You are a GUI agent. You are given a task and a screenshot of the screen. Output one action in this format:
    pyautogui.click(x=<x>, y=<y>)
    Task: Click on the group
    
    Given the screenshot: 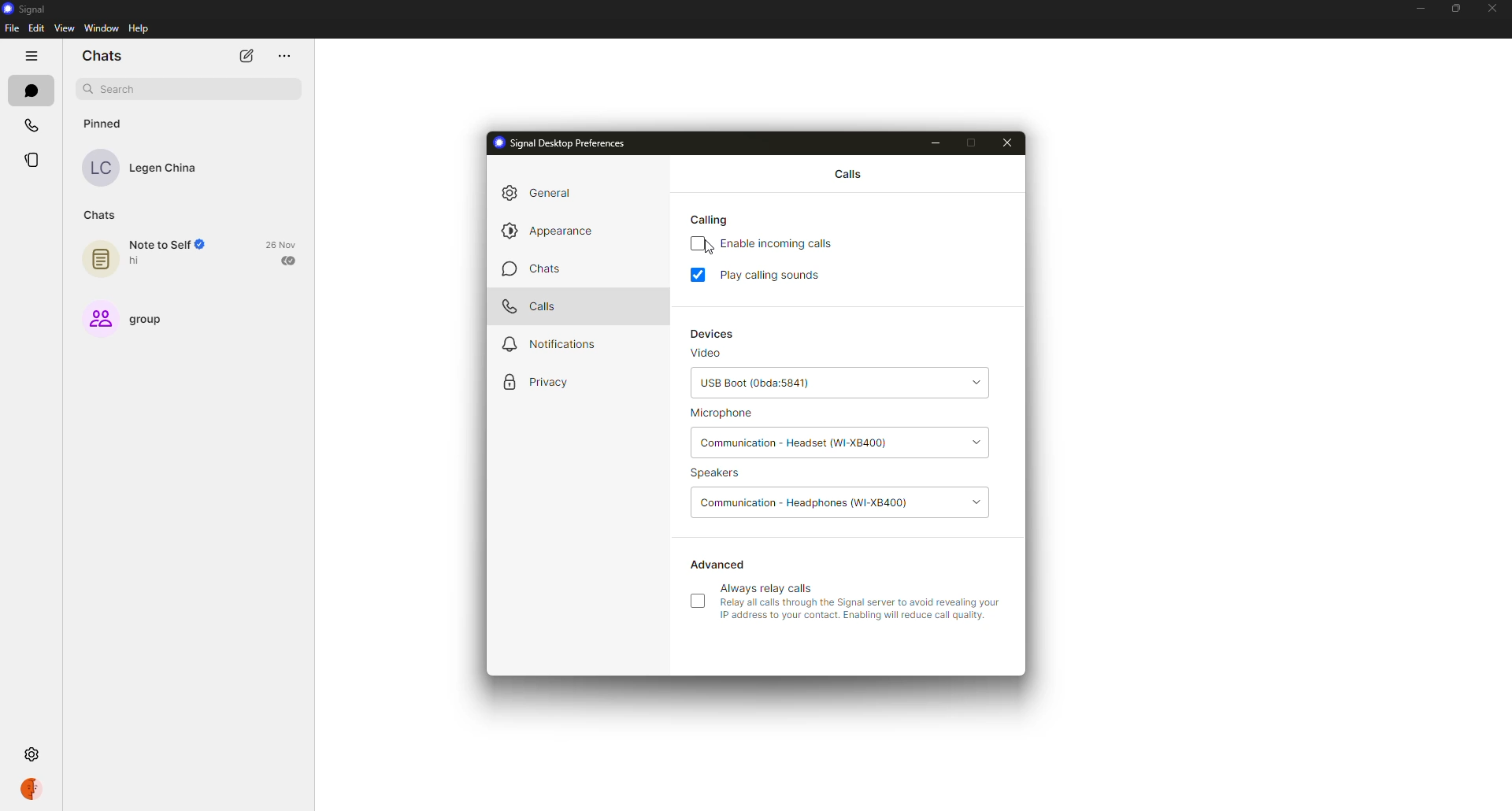 What is the action you would take?
    pyautogui.click(x=124, y=318)
    